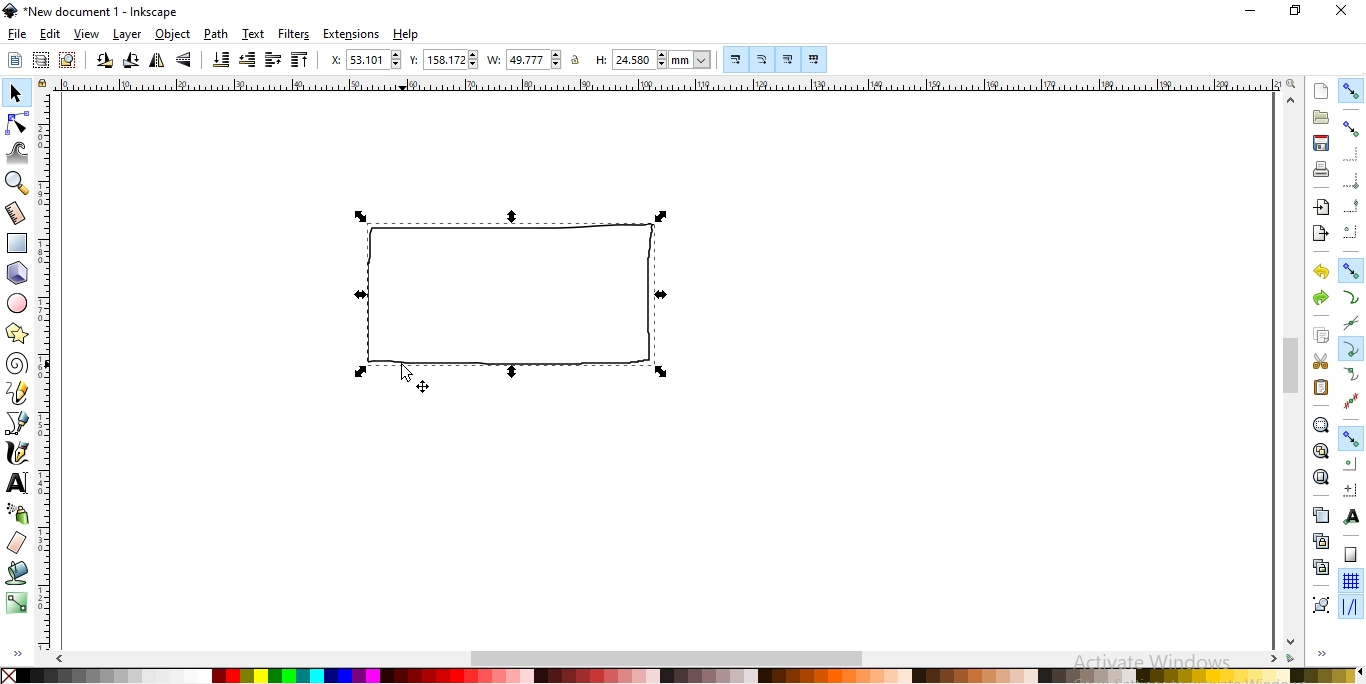  Describe the element at coordinates (685, 675) in the screenshot. I see ` color` at that location.